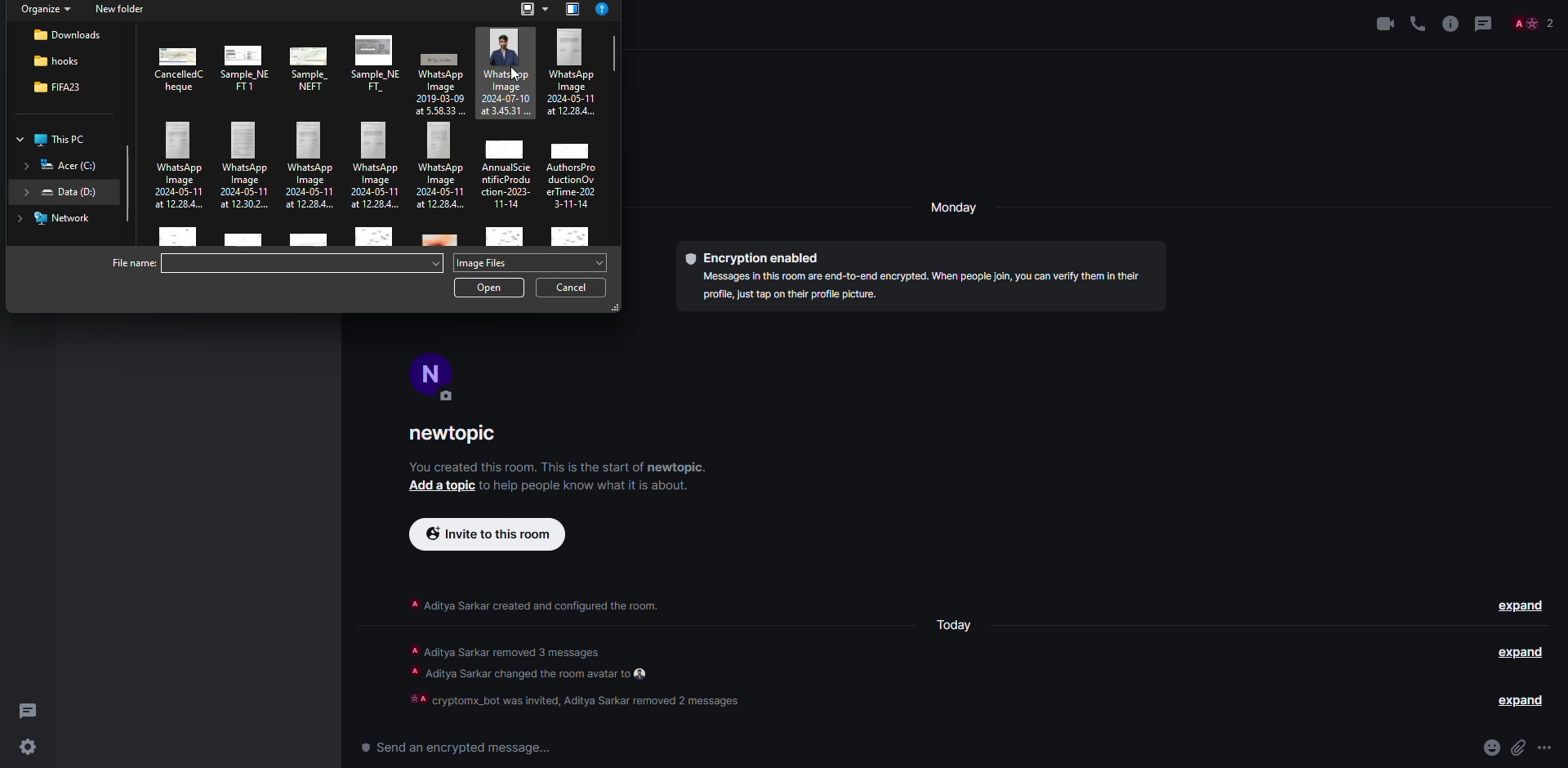 The height and width of the screenshot is (768, 1568). What do you see at coordinates (924, 285) in the screenshot?
I see `info` at bounding box center [924, 285].